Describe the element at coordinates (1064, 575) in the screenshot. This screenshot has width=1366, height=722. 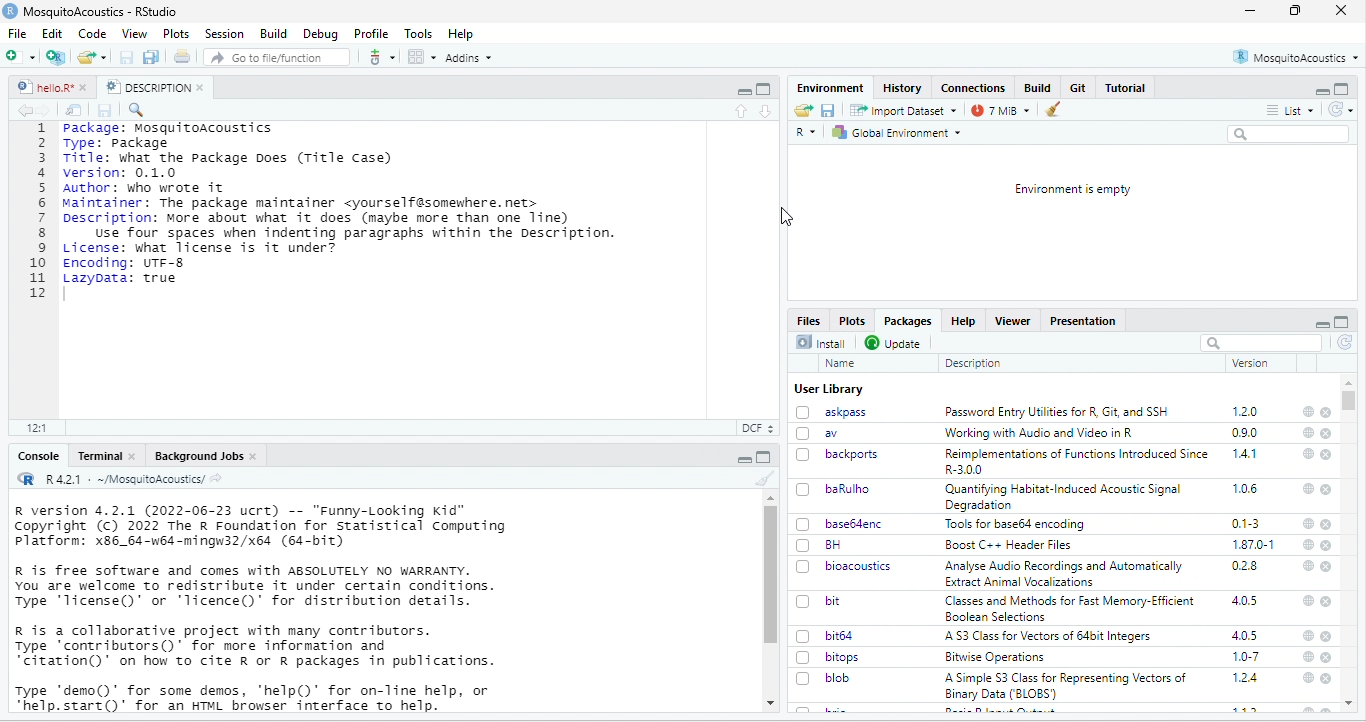
I see `Analyse Audio Recordings and Automatically Extract Animal Vocalizations` at that location.